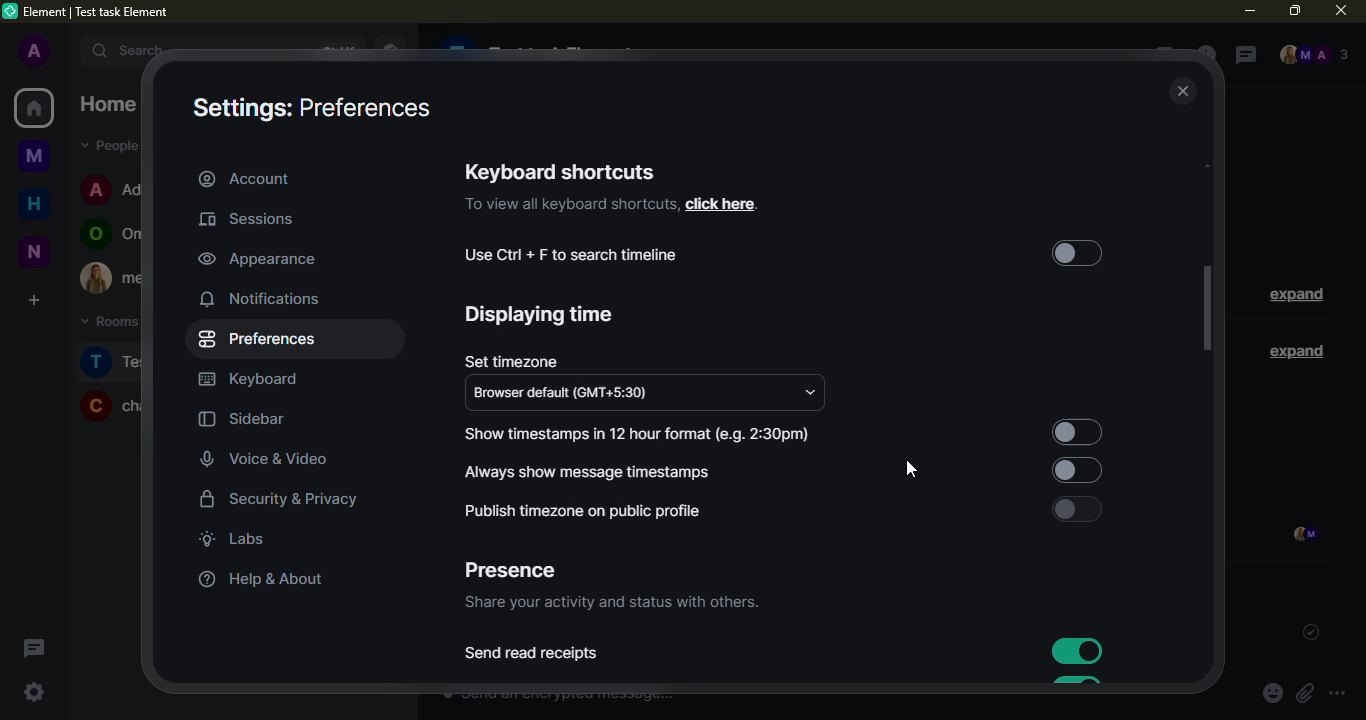 The image size is (1366, 720). What do you see at coordinates (68, 50) in the screenshot?
I see `expand` at bounding box center [68, 50].